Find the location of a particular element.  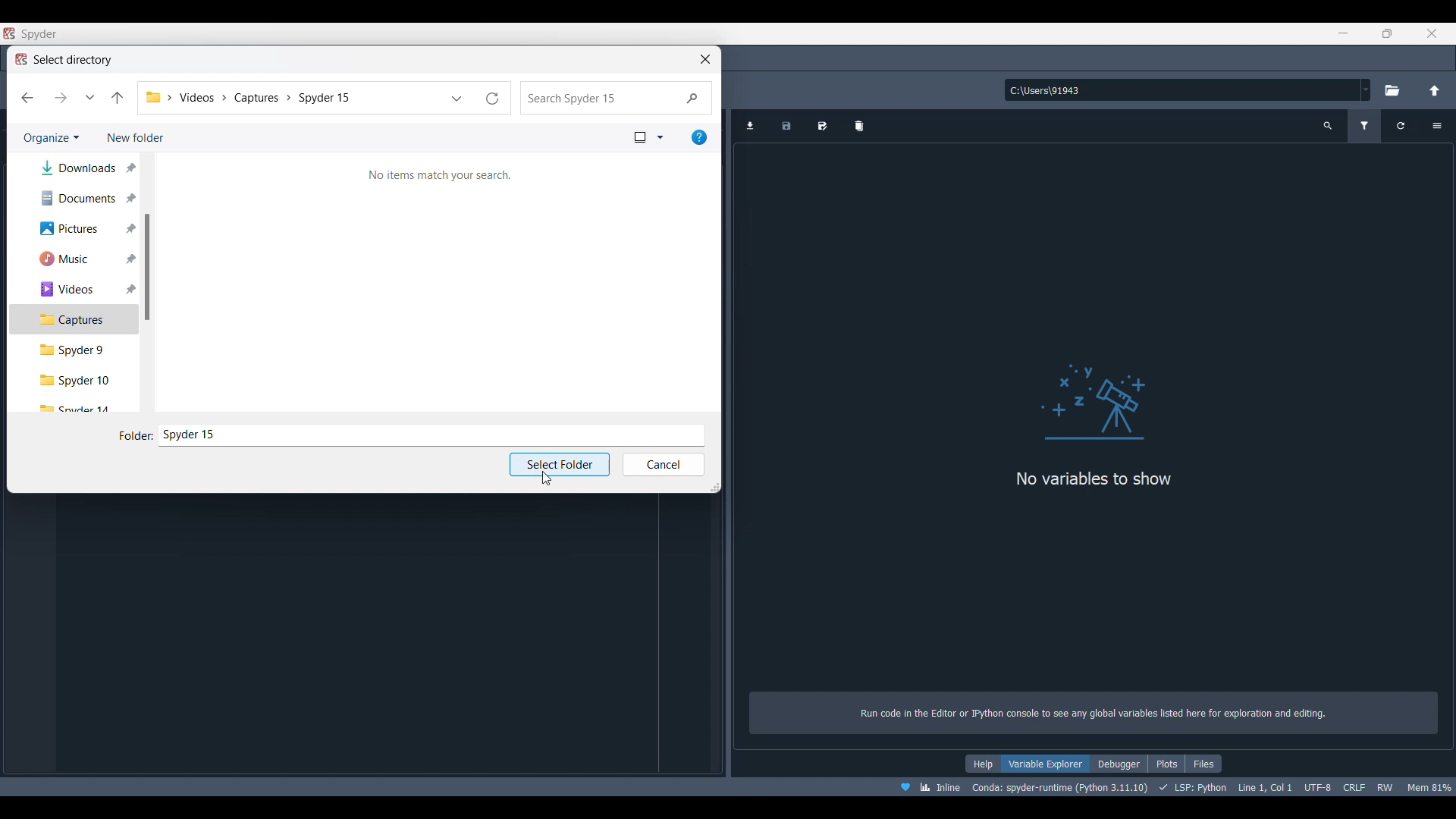

Software name is located at coordinates (39, 34).